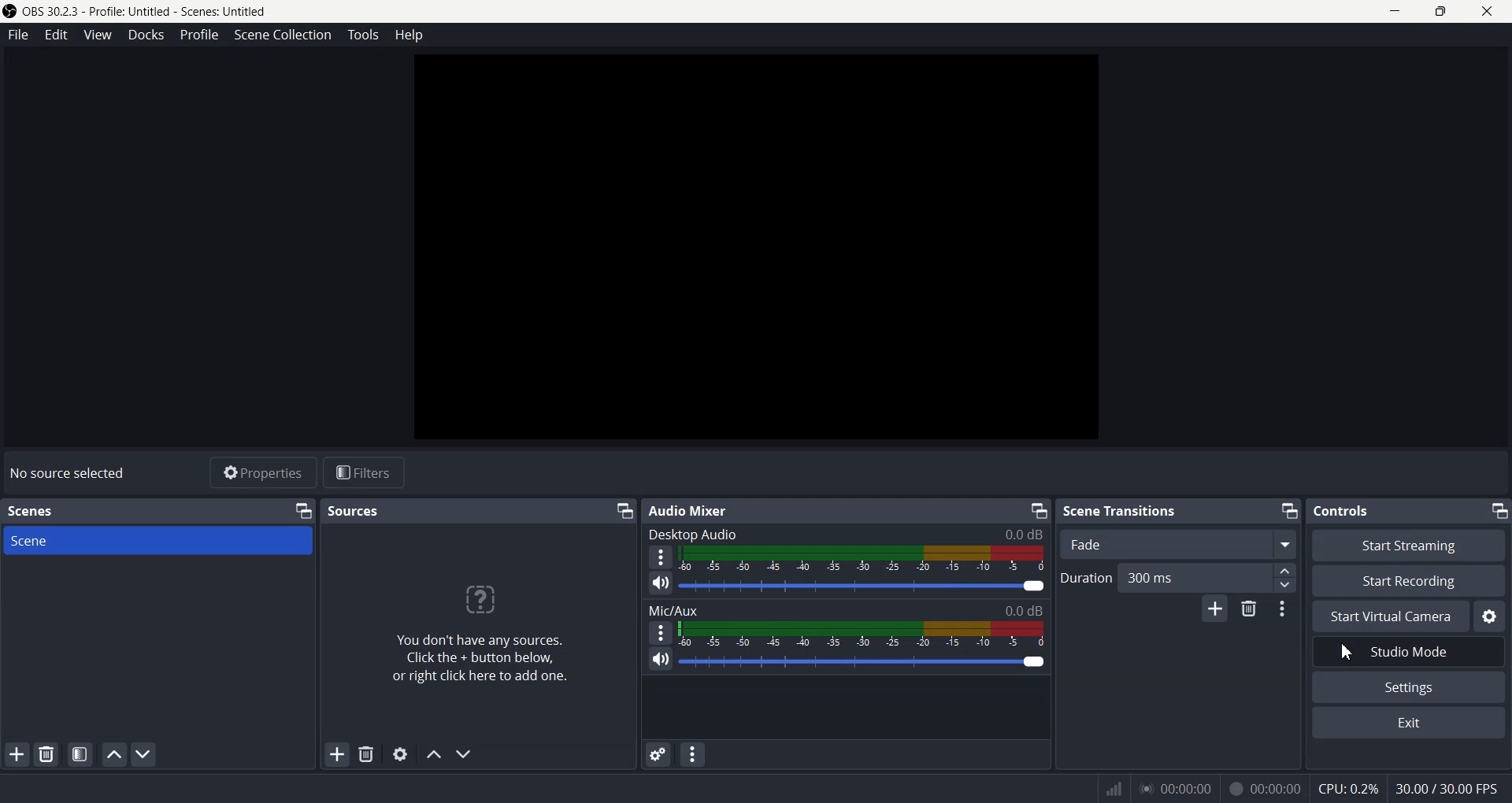  Describe the element at coordinates (1347, 788) in the screenshot. I see `` at that location.